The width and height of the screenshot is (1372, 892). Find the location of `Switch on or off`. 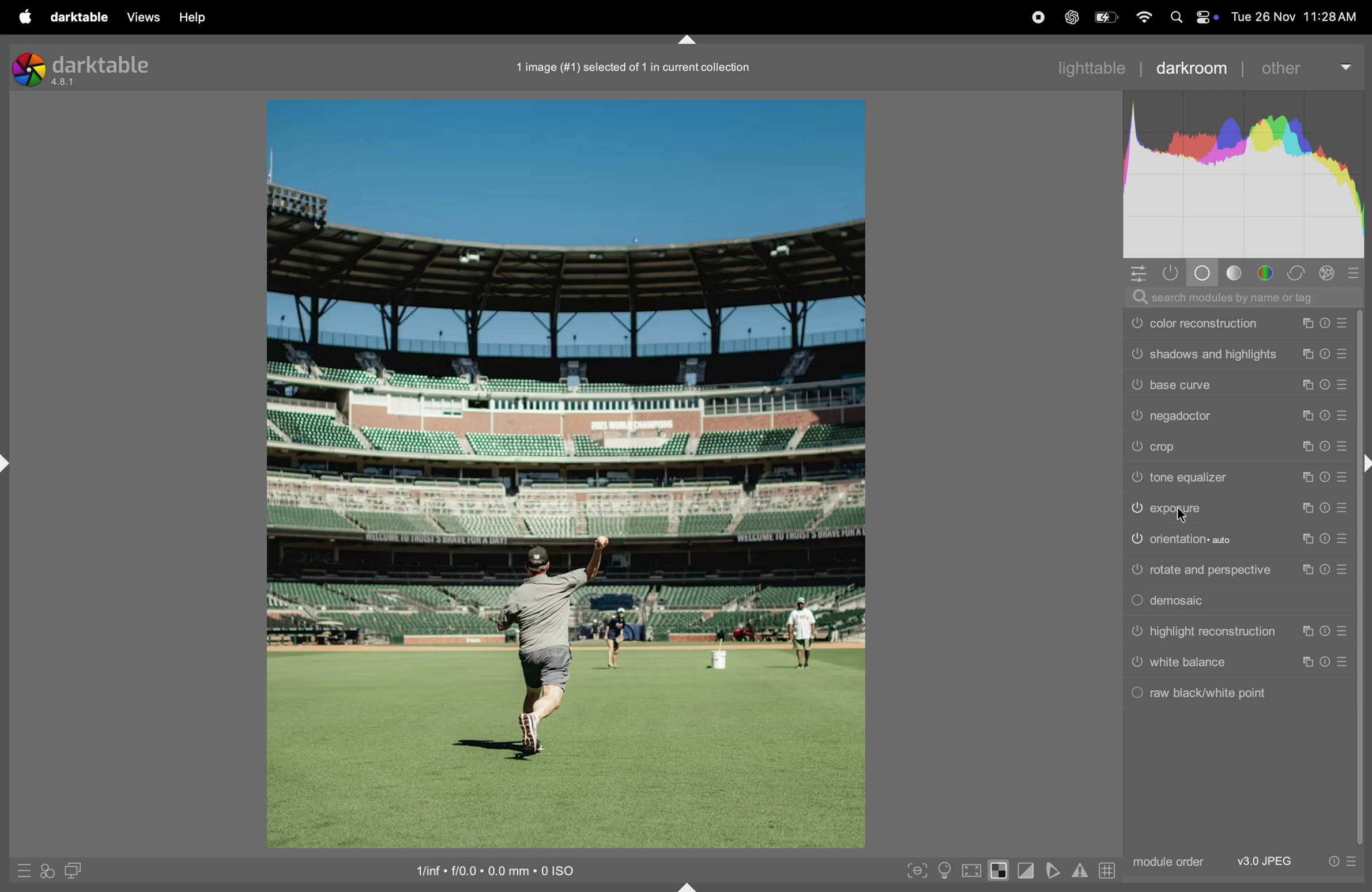

Switch on or off is located at coordinates (1137, 478).